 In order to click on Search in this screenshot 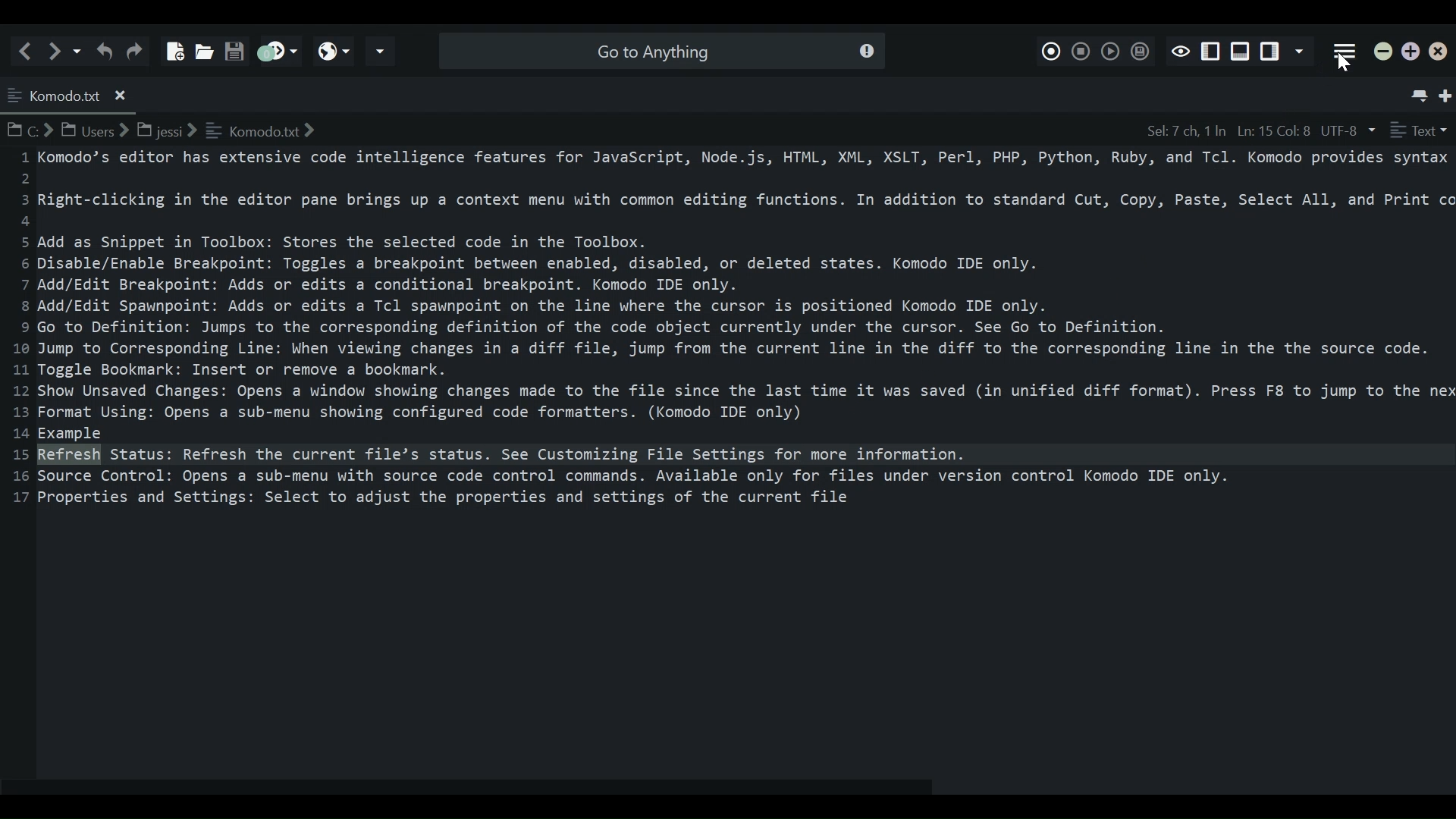, I will do `click(659, 50)`.